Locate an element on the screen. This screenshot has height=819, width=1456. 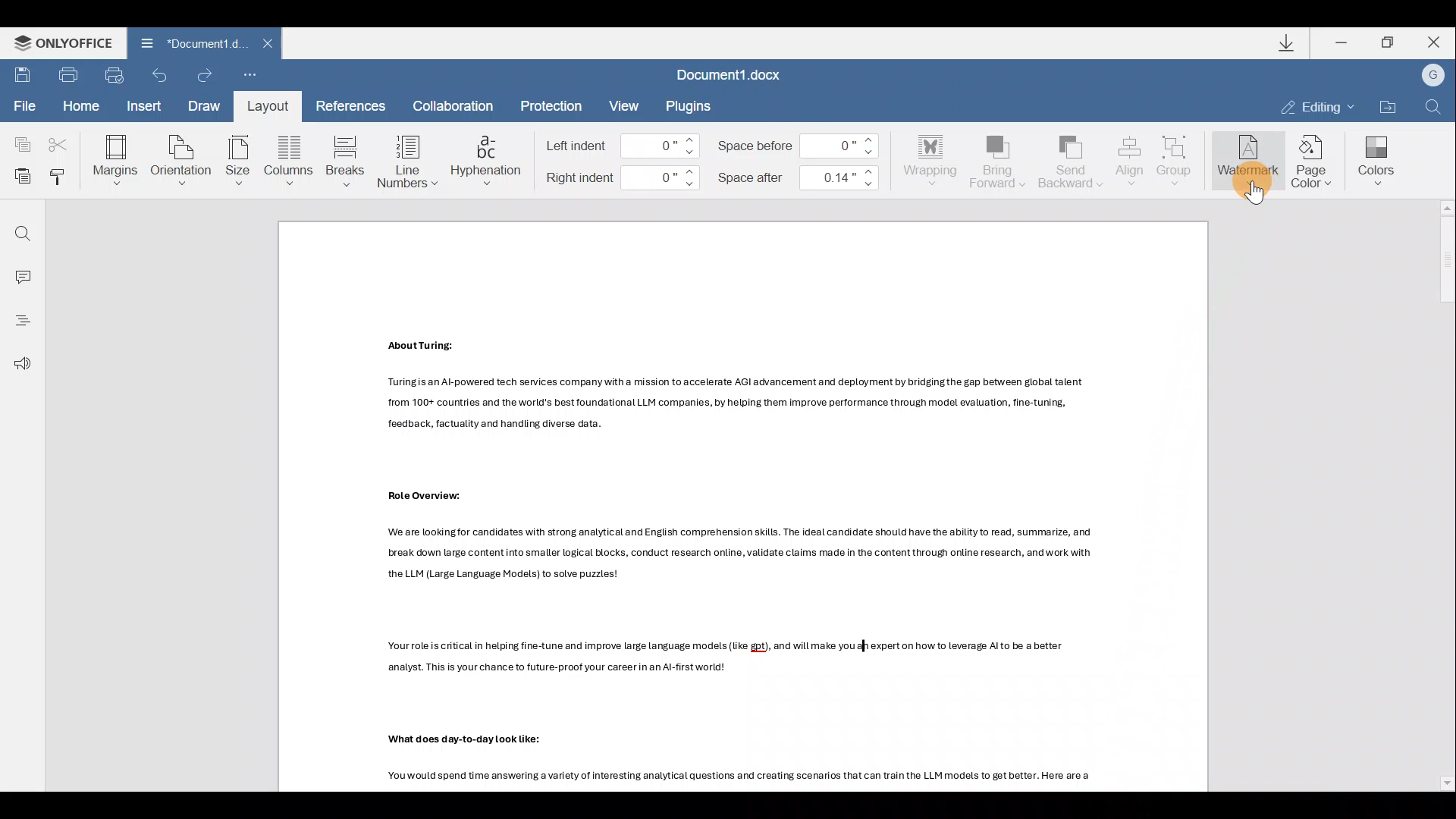
Space after is located at coordinates (797, 180).